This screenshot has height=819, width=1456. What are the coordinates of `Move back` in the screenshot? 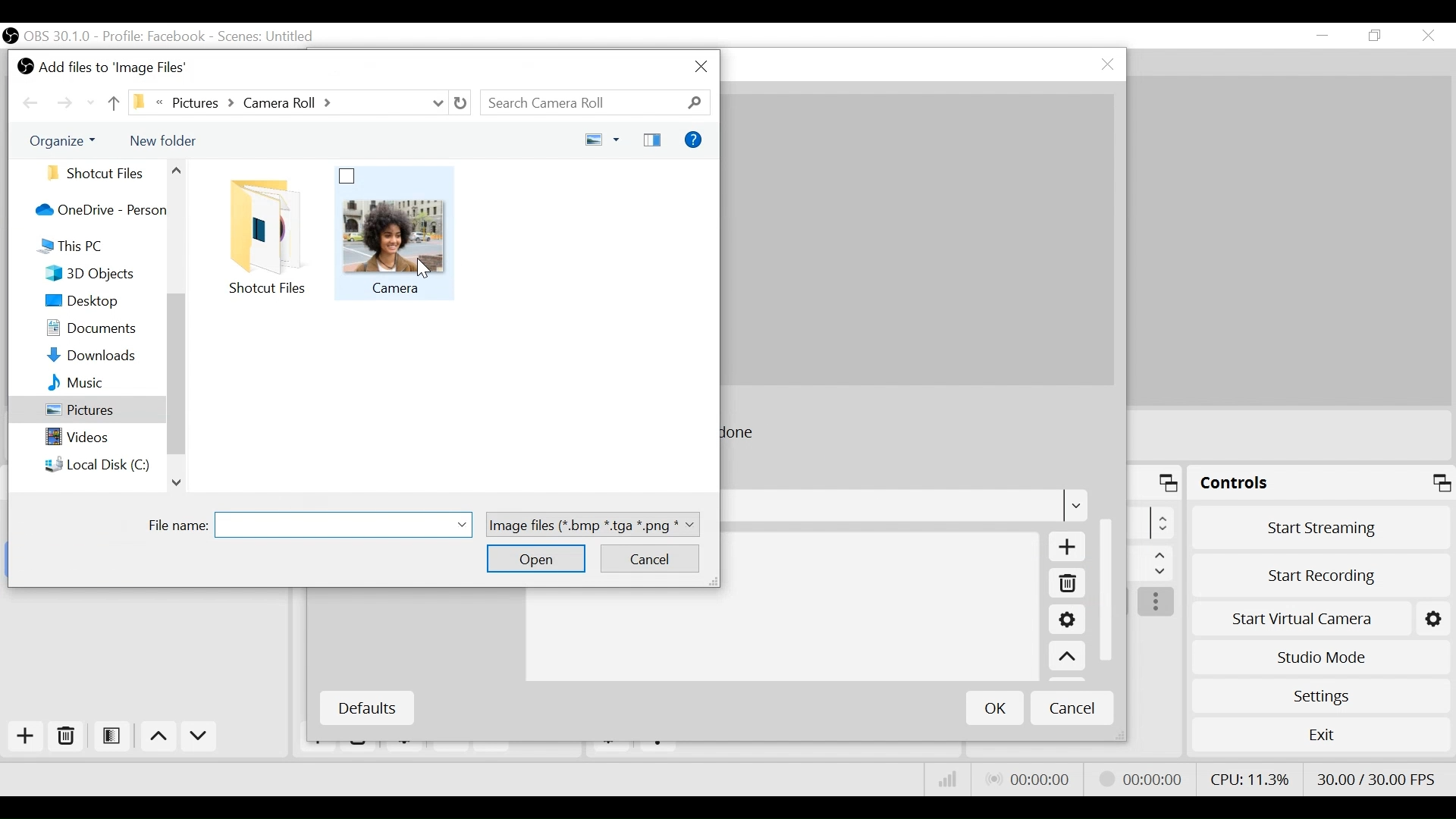 It's located at (33, 104).